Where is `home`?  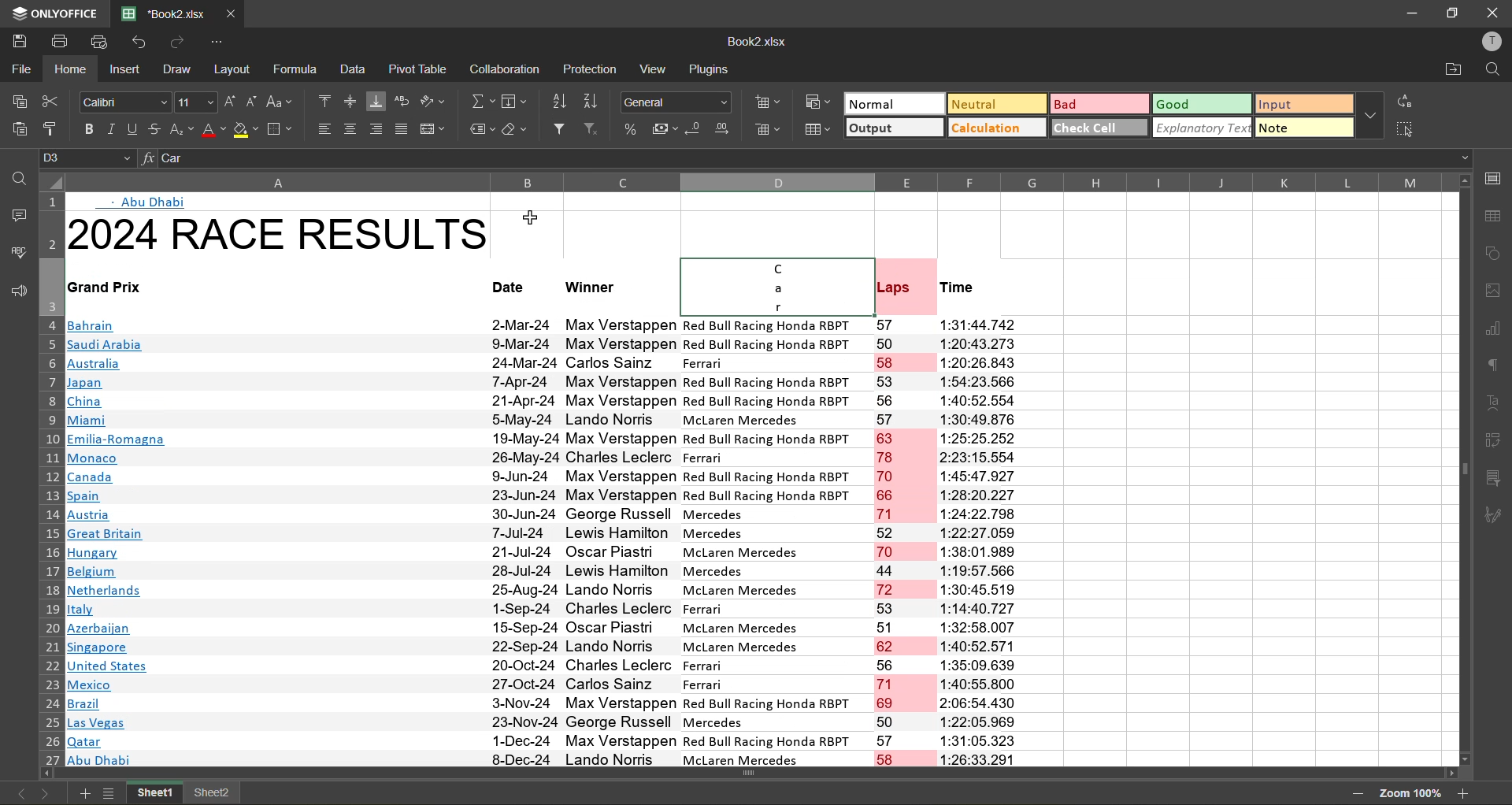
home is located at coordinates (79, 72).